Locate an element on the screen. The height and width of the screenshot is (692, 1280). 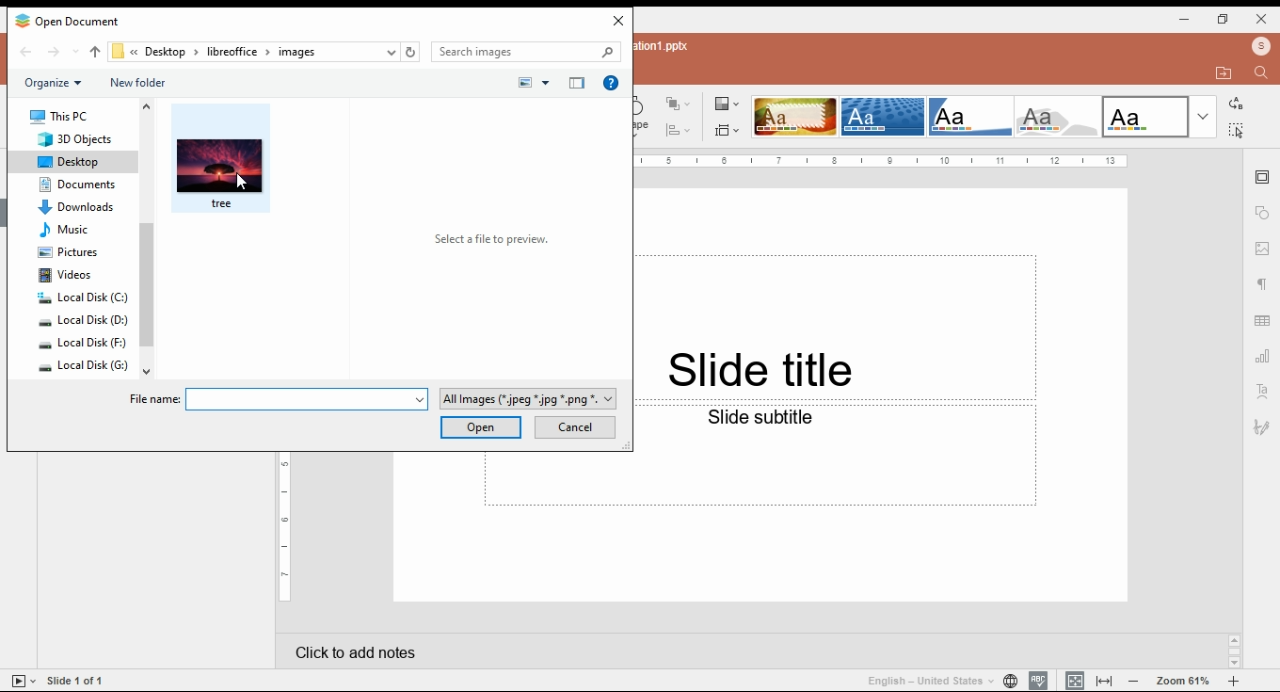
change view is located at coordinates (532, 83).